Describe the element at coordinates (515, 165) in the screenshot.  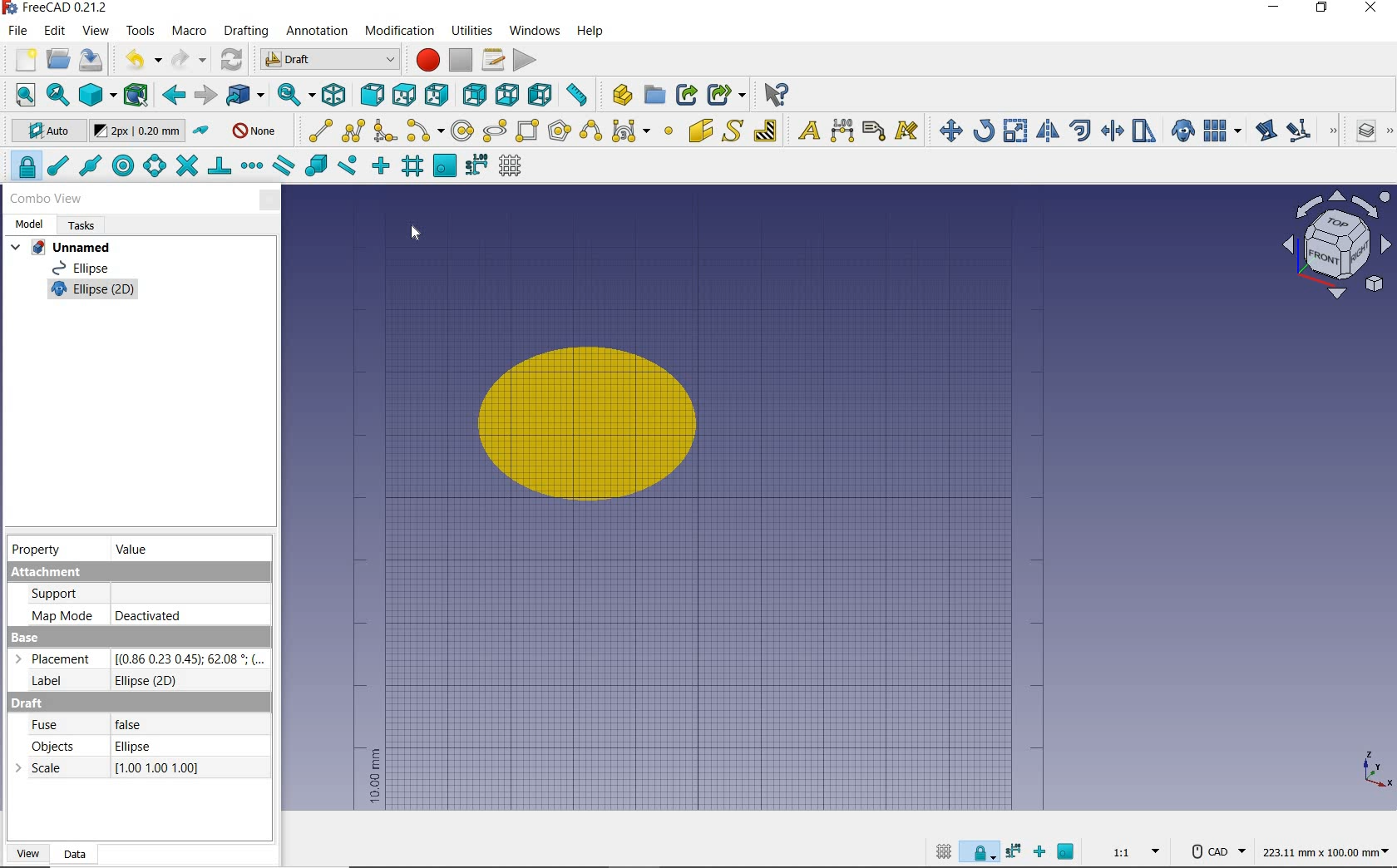
I see `toggle grid` at that location.